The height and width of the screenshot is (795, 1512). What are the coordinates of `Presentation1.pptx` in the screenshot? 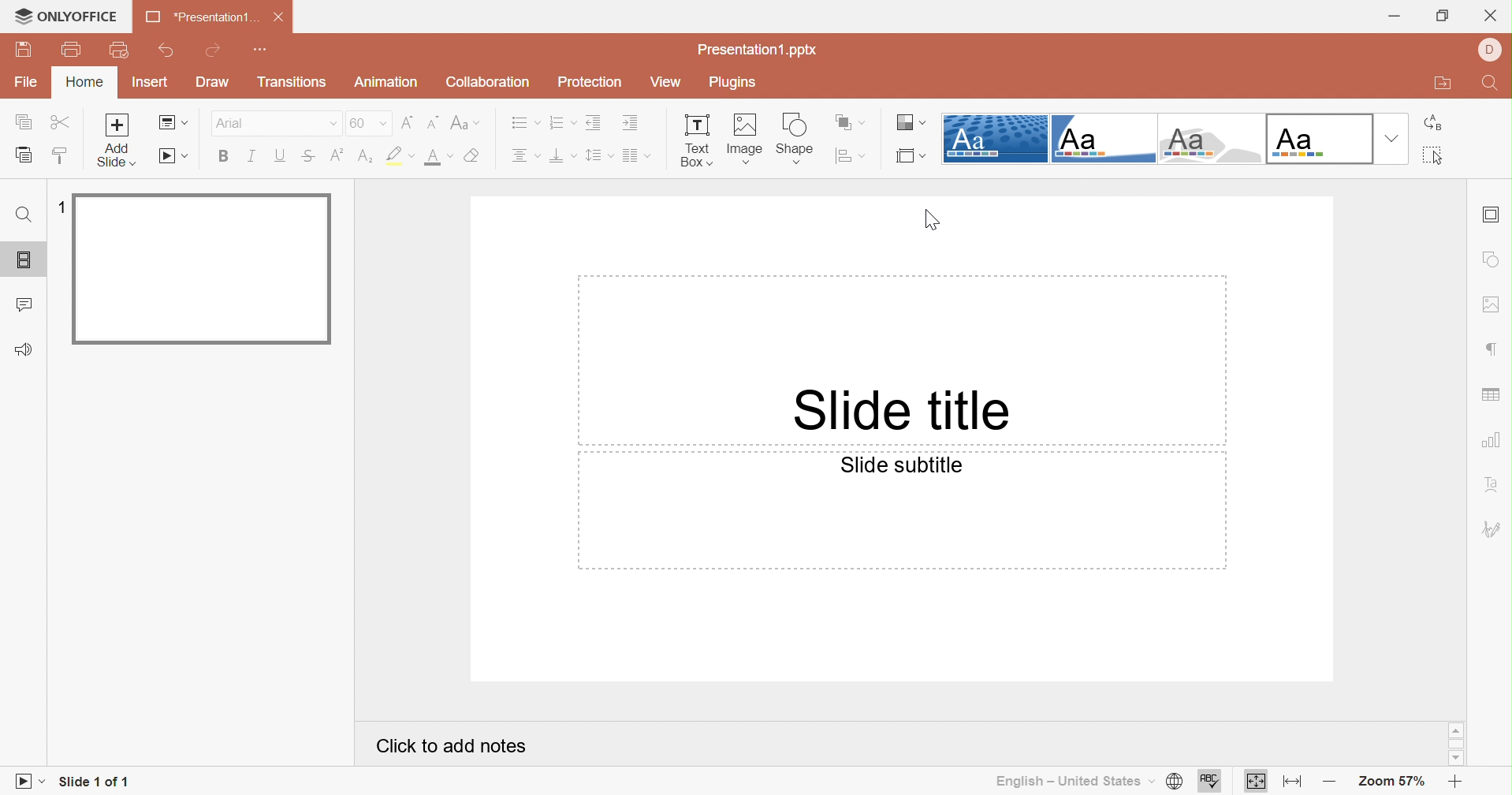 It's located at (754, 49).